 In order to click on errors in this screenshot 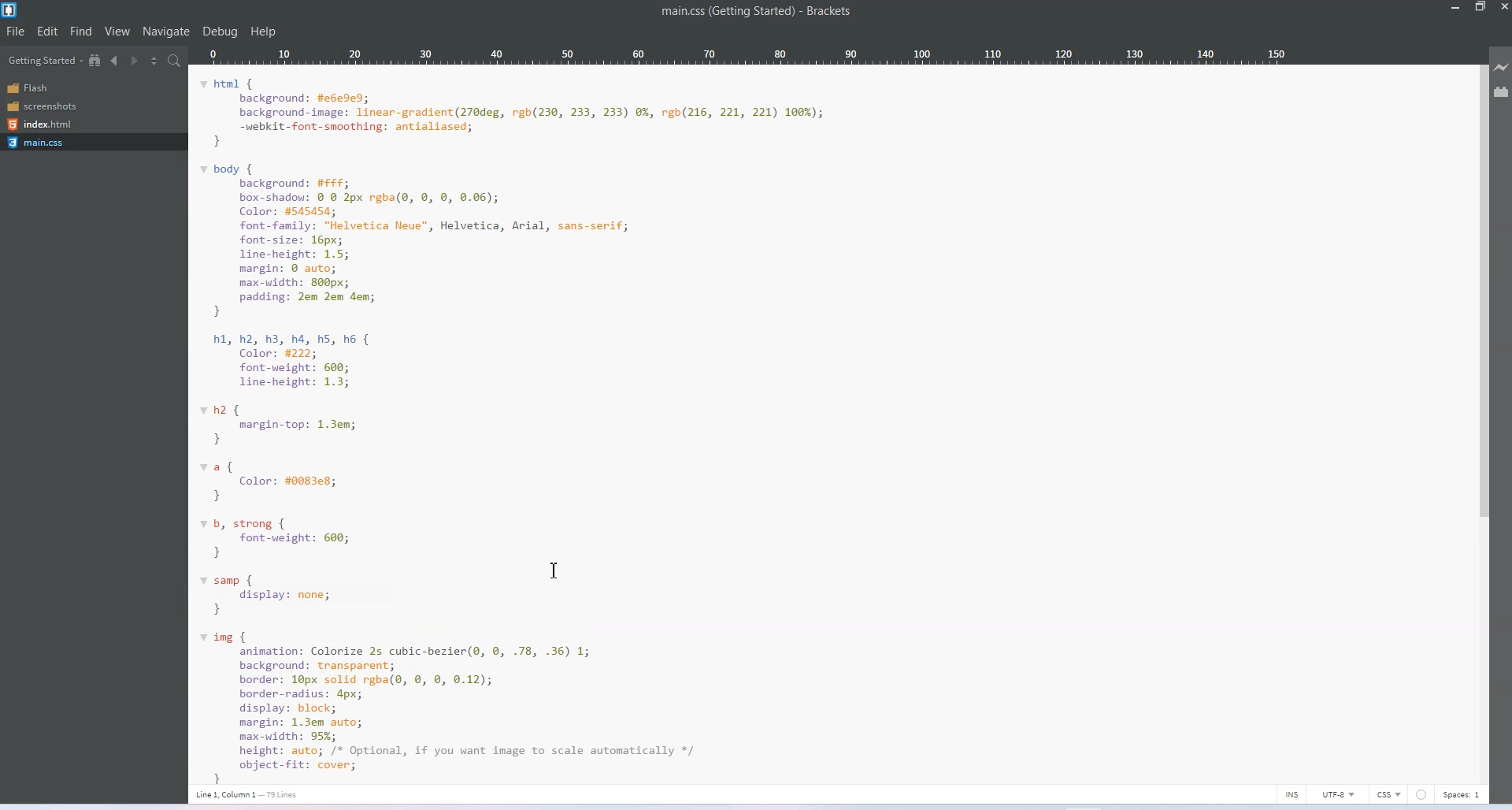, I will do `click(1421, 793)`.